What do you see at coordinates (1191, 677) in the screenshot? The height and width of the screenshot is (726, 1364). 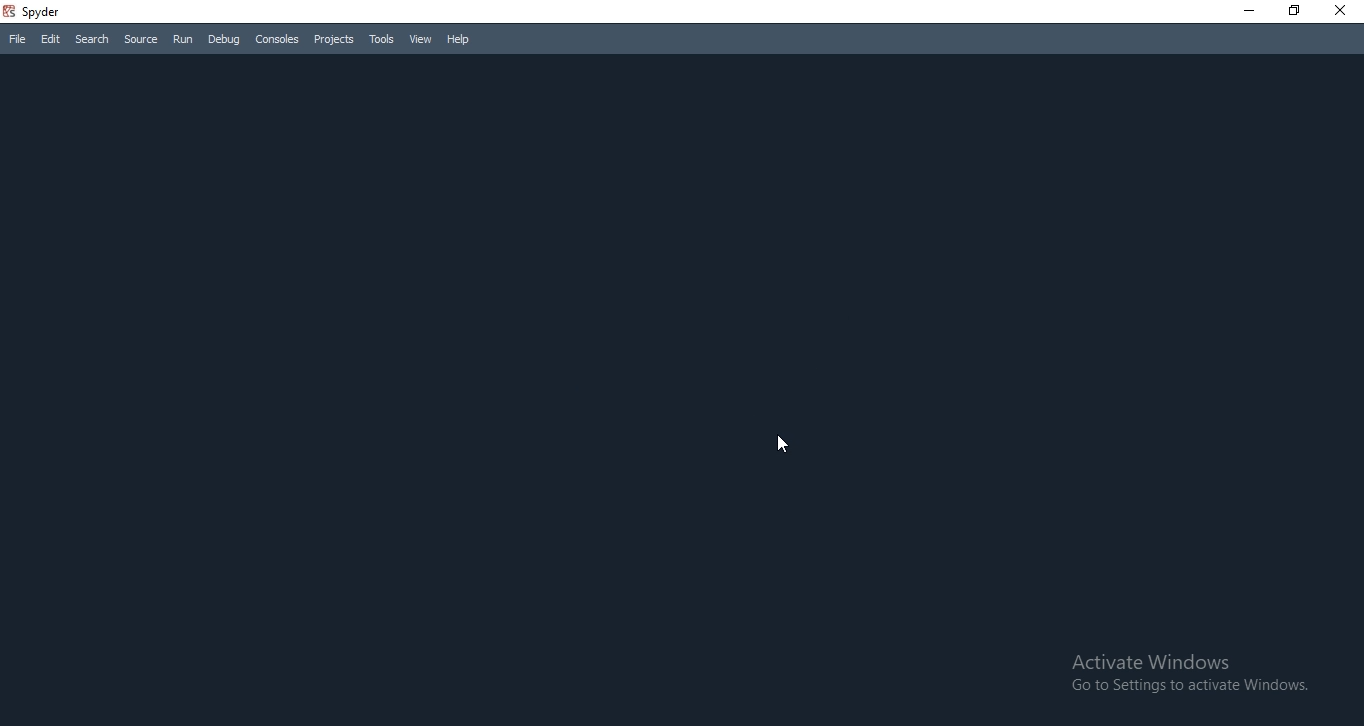 I see `Activate Windows
Go to Settings to activate Windows.` at bounding box center [1191, 677].